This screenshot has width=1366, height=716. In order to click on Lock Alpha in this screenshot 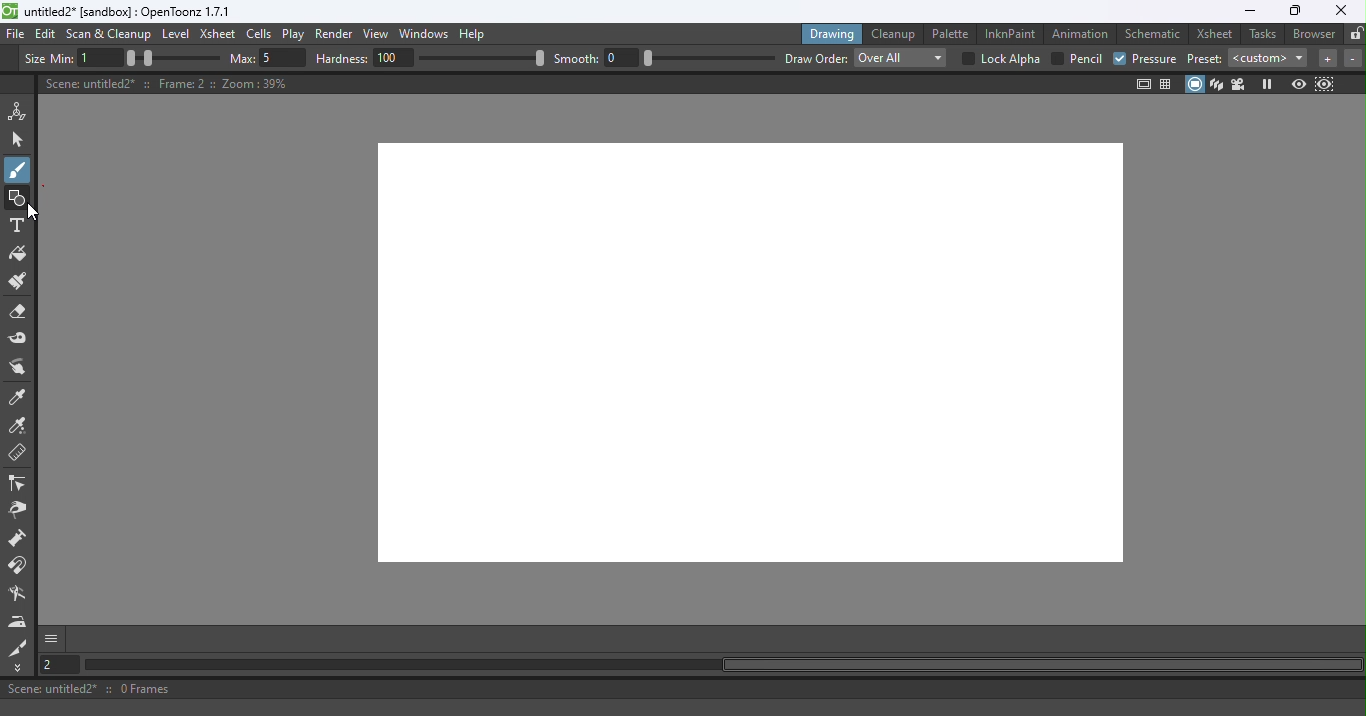, I will do `click(1009, 60)`.